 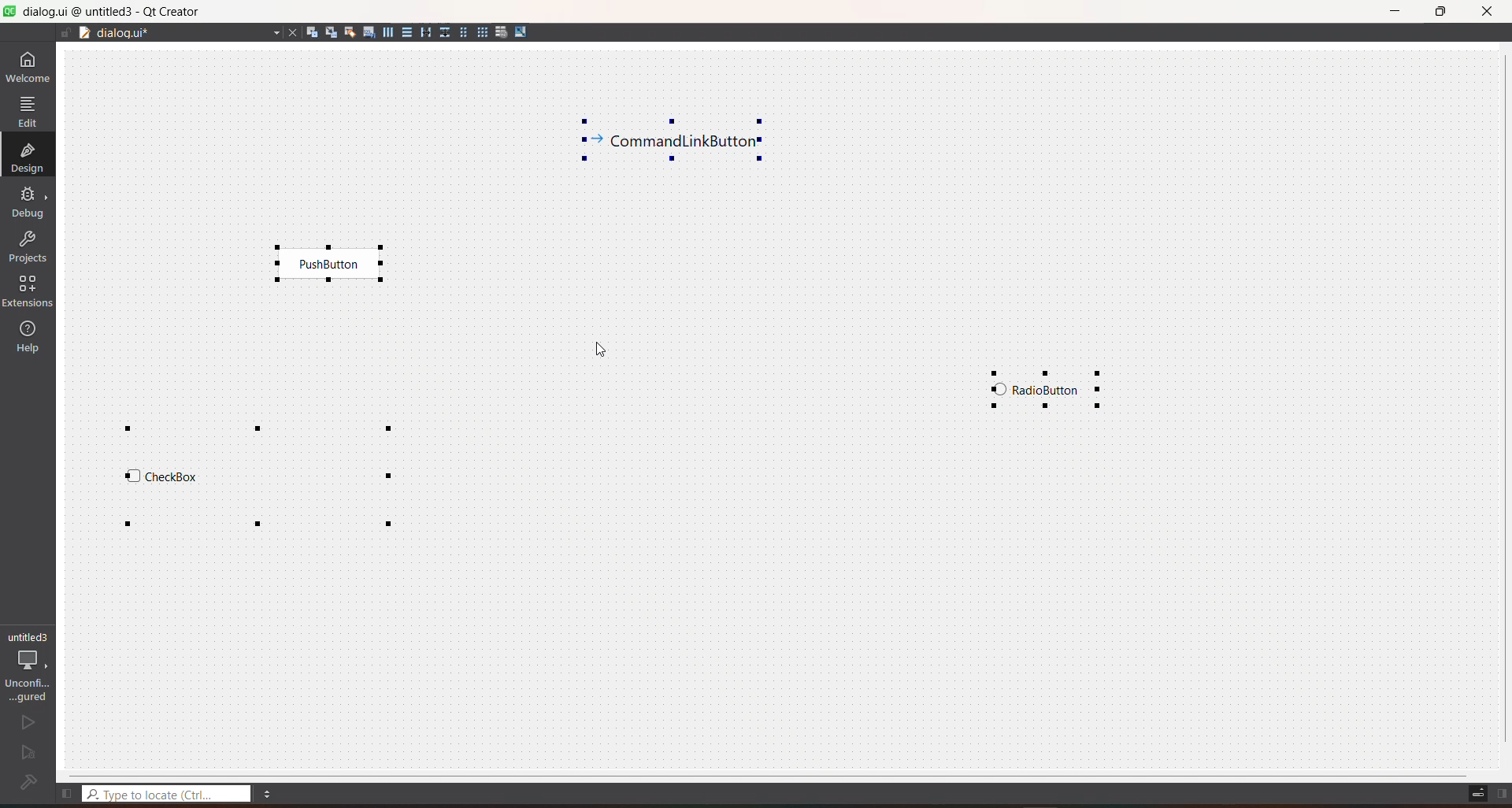 I want to click on edit, so click(x=27, y=113).